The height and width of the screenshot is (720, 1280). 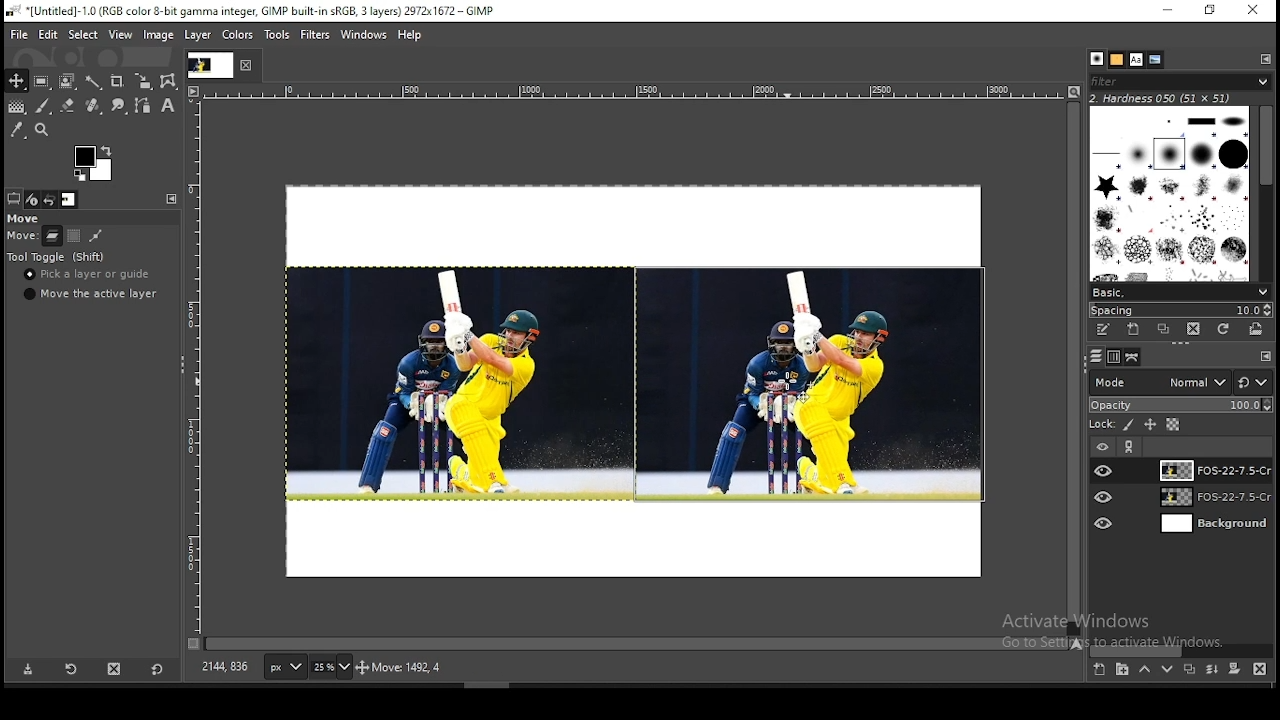 What do you see at coordinates (1172, 425) in the screenshot?
I see `lock alpha channel` at bounding box center [1172, 425].